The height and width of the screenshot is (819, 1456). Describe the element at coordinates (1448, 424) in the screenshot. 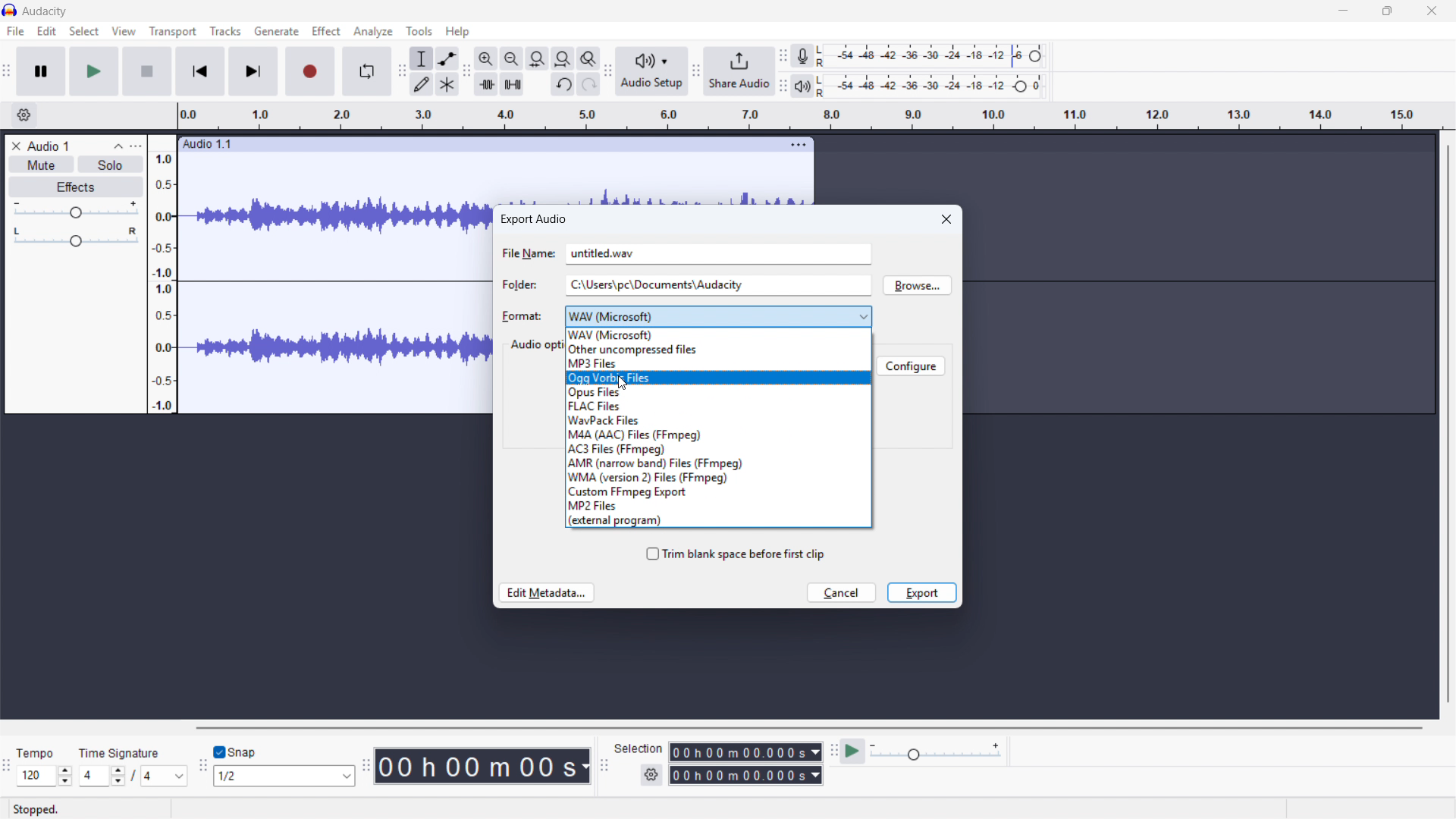

I see `Vertical scroll bar ` at that location.